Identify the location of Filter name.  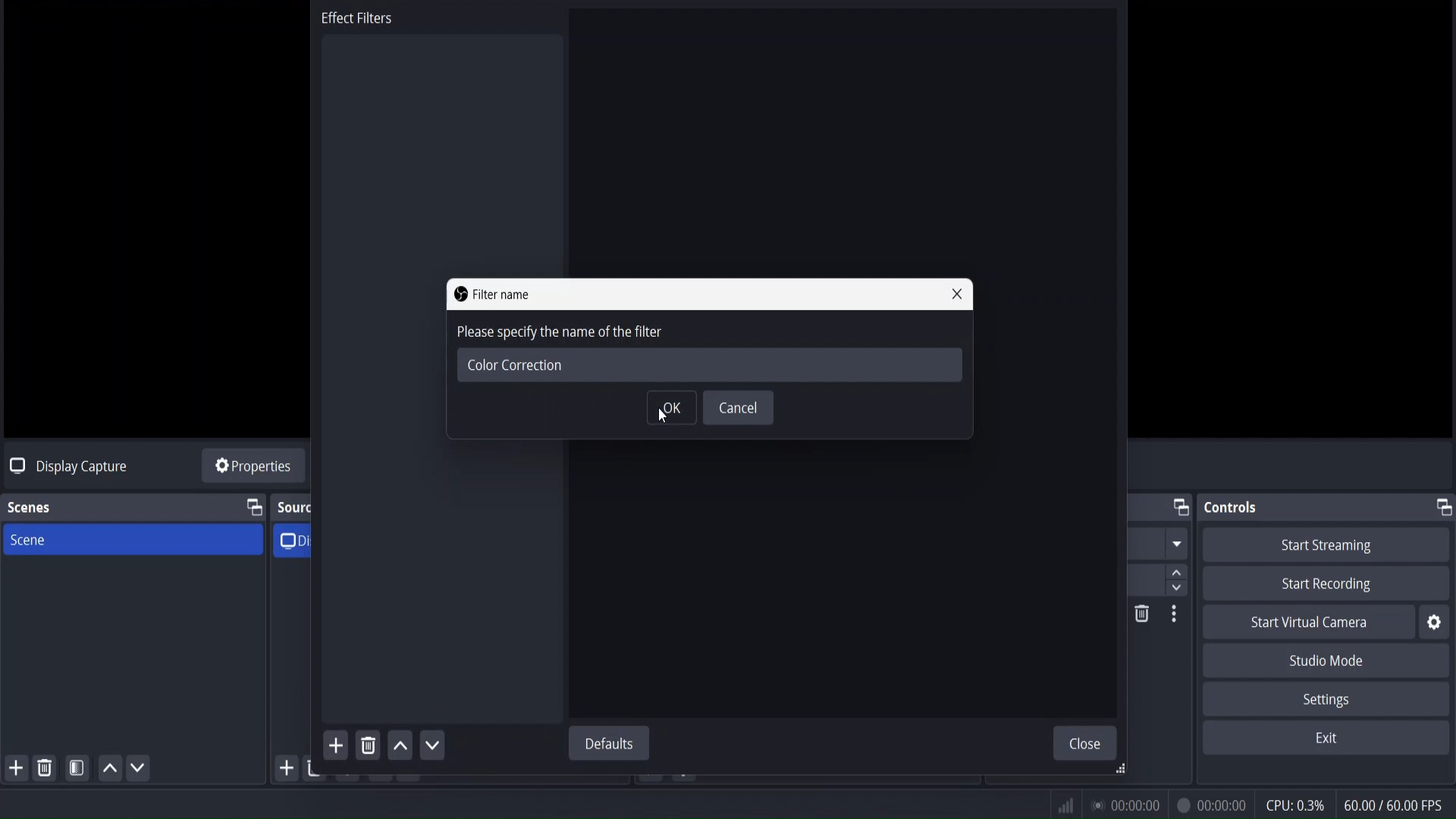
(501, 294).